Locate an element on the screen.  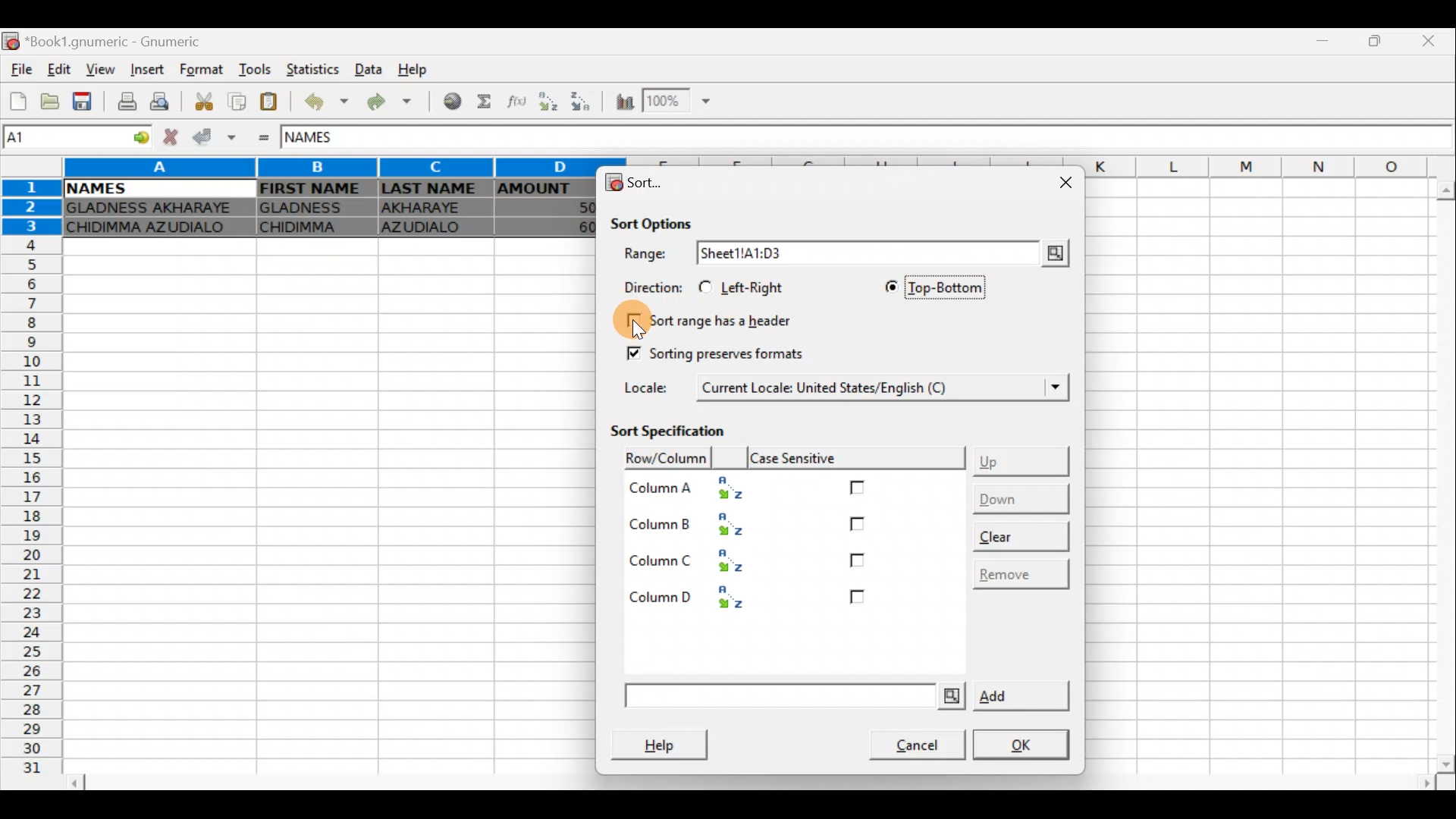
NAMES is located at coordinates (95, 189).